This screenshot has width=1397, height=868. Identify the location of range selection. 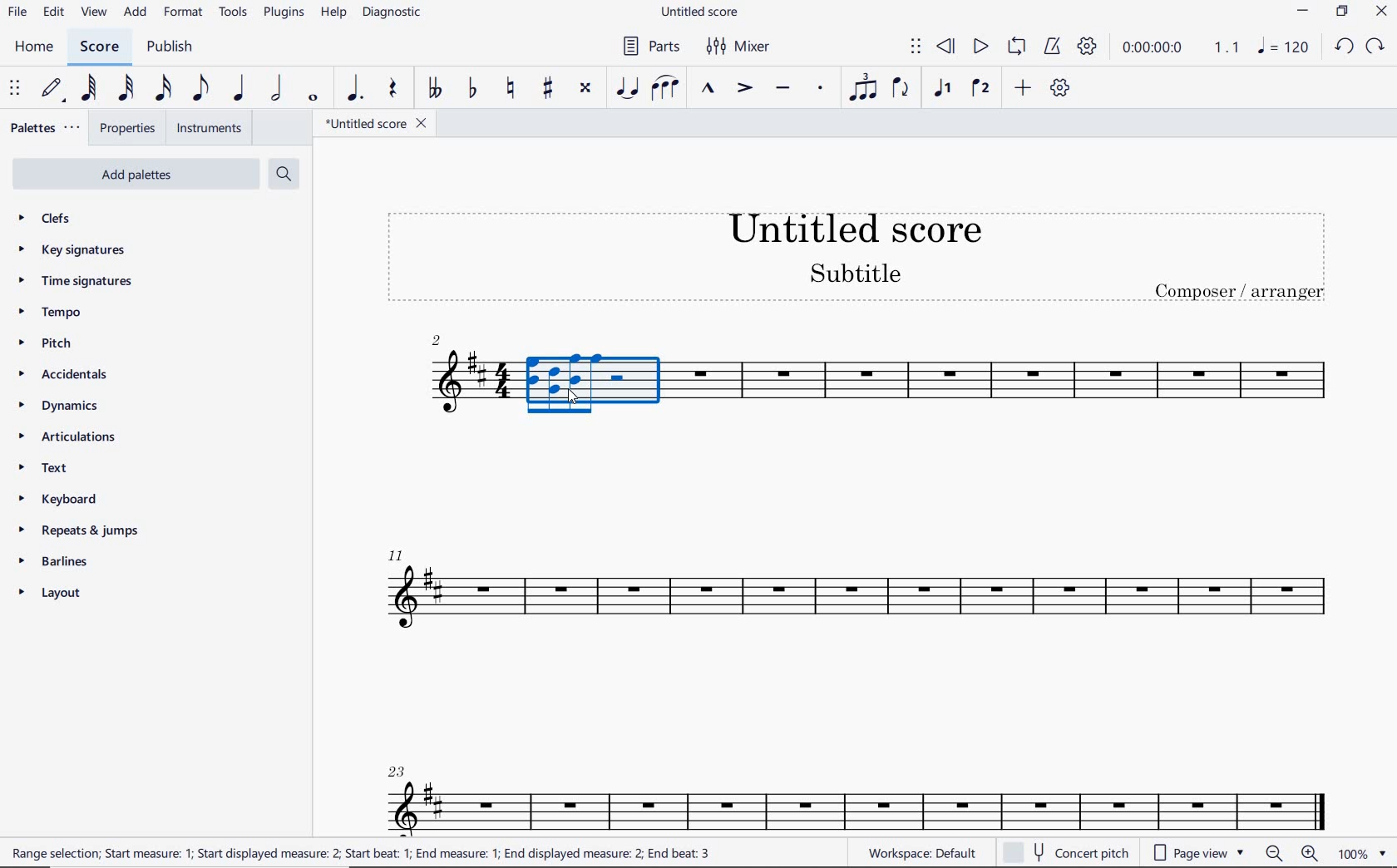
(363, 854).